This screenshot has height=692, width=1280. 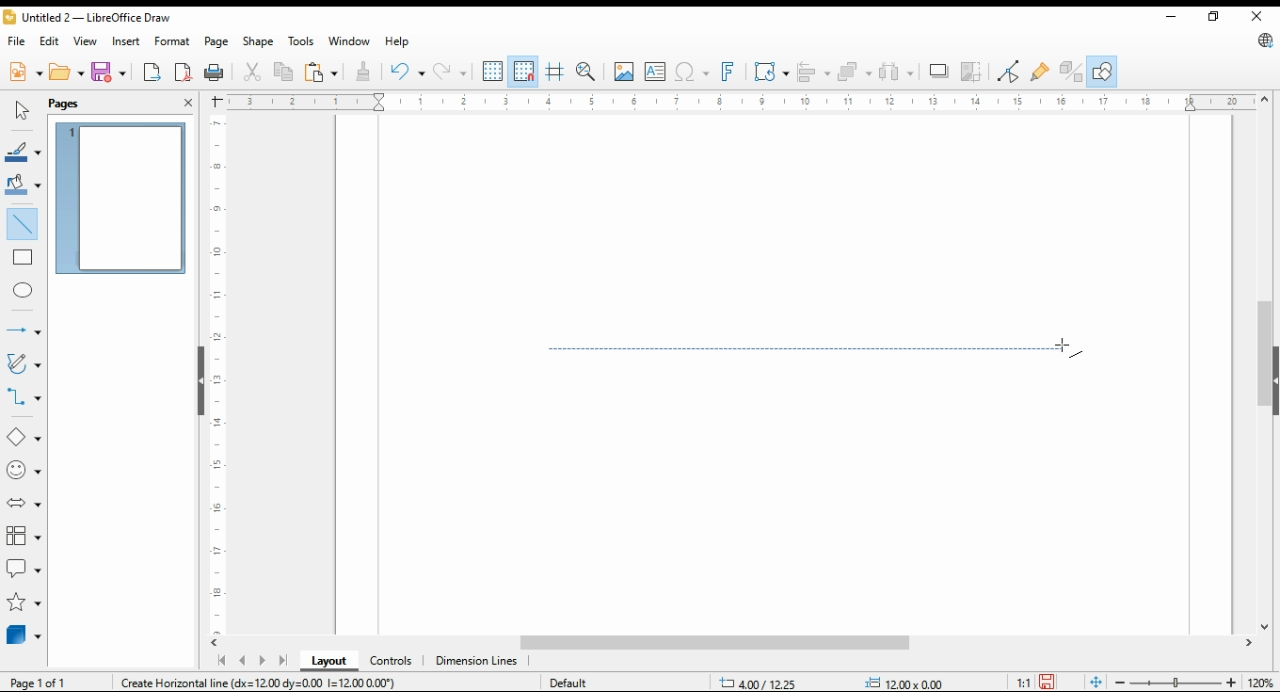 What do you see at coordinates (184, 71) in the screenshot?
I see `export directly as pdf` at bounding box center [184, 71].